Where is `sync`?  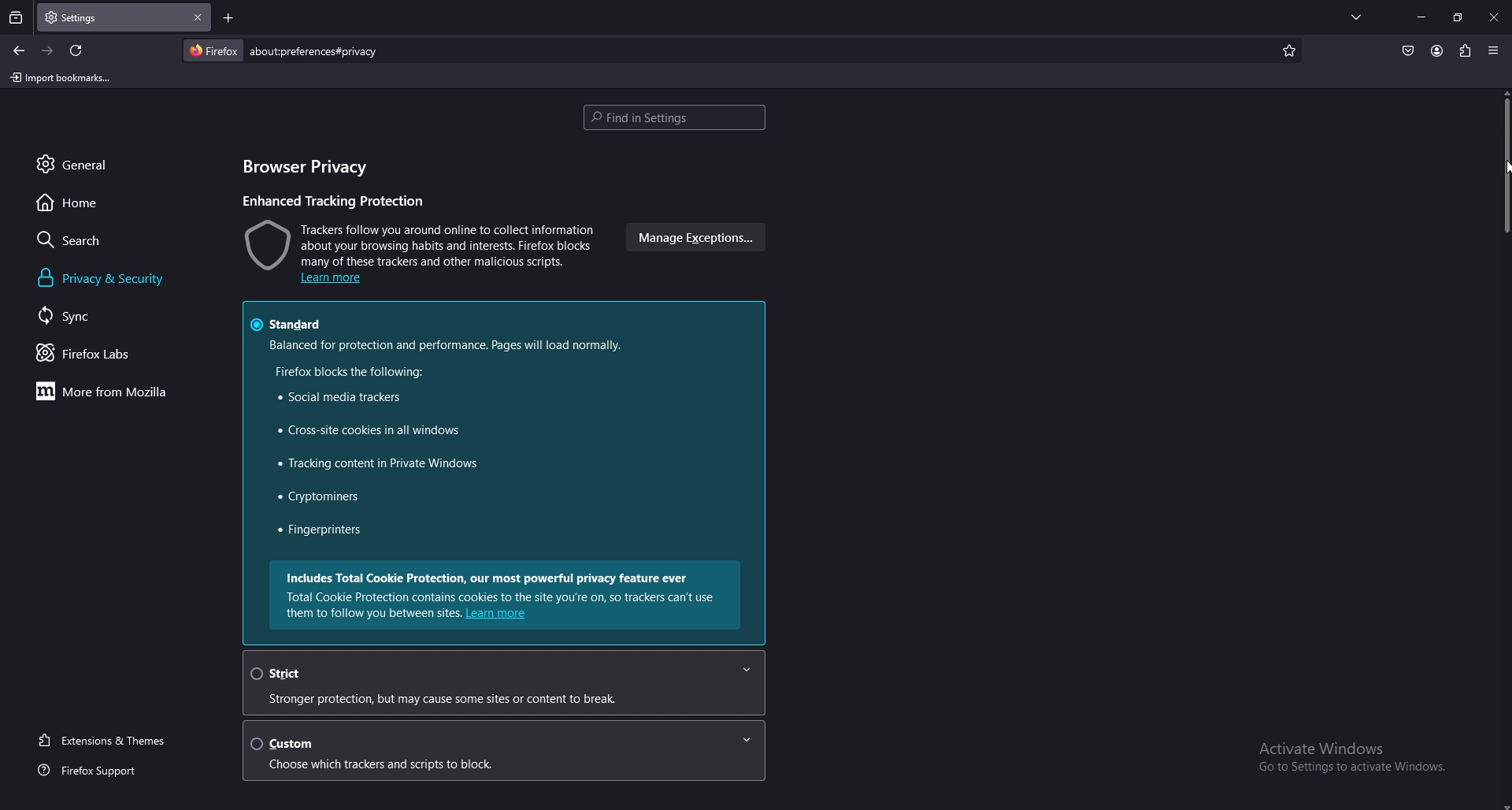 sync is located at coordinates (83, 316).